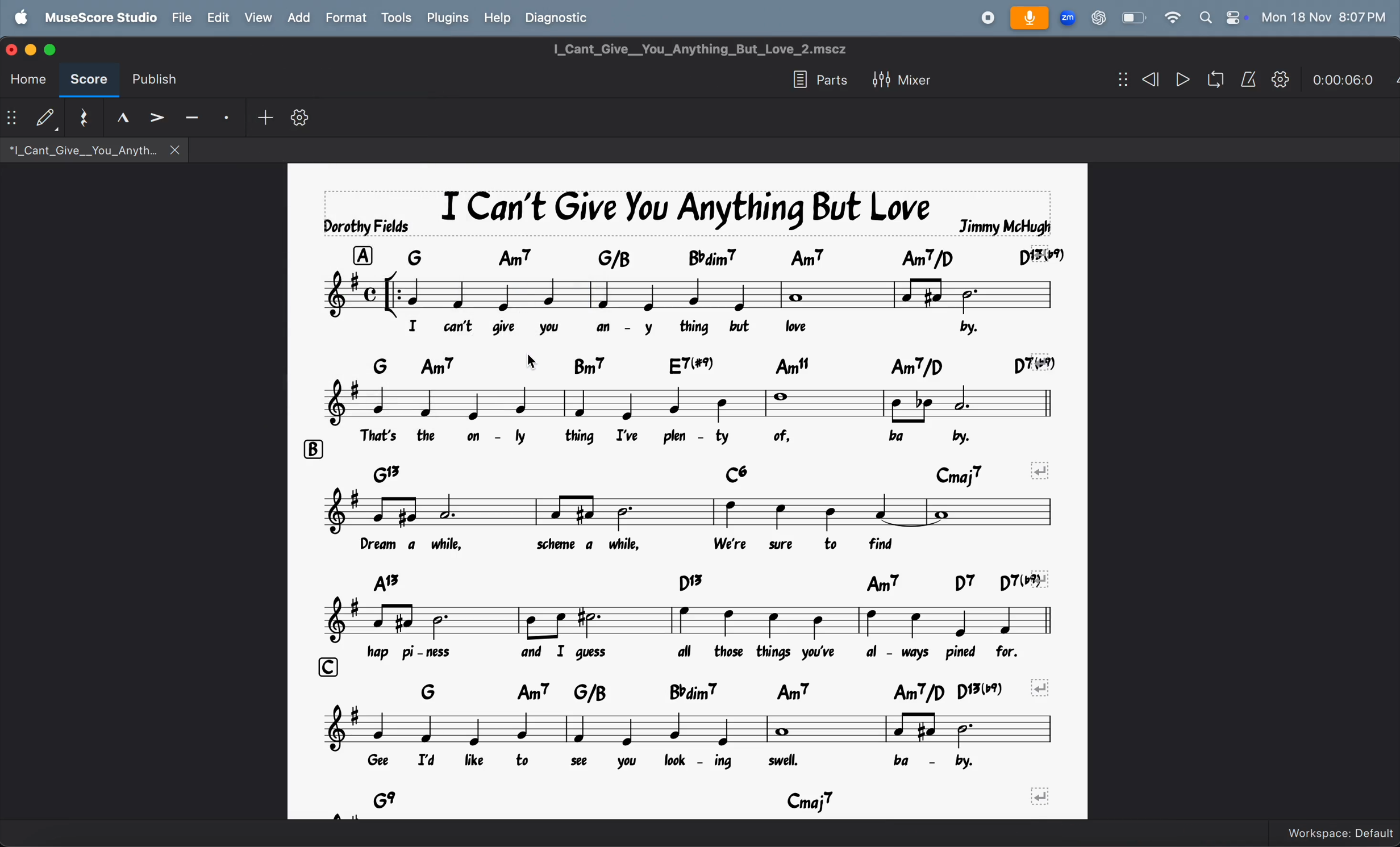 The width and height of the screenshot is (1400, 847). What do you see at coordinates (687, 364) in the screenshot?
I see `chord symbol` at bounding box center [687, 364].